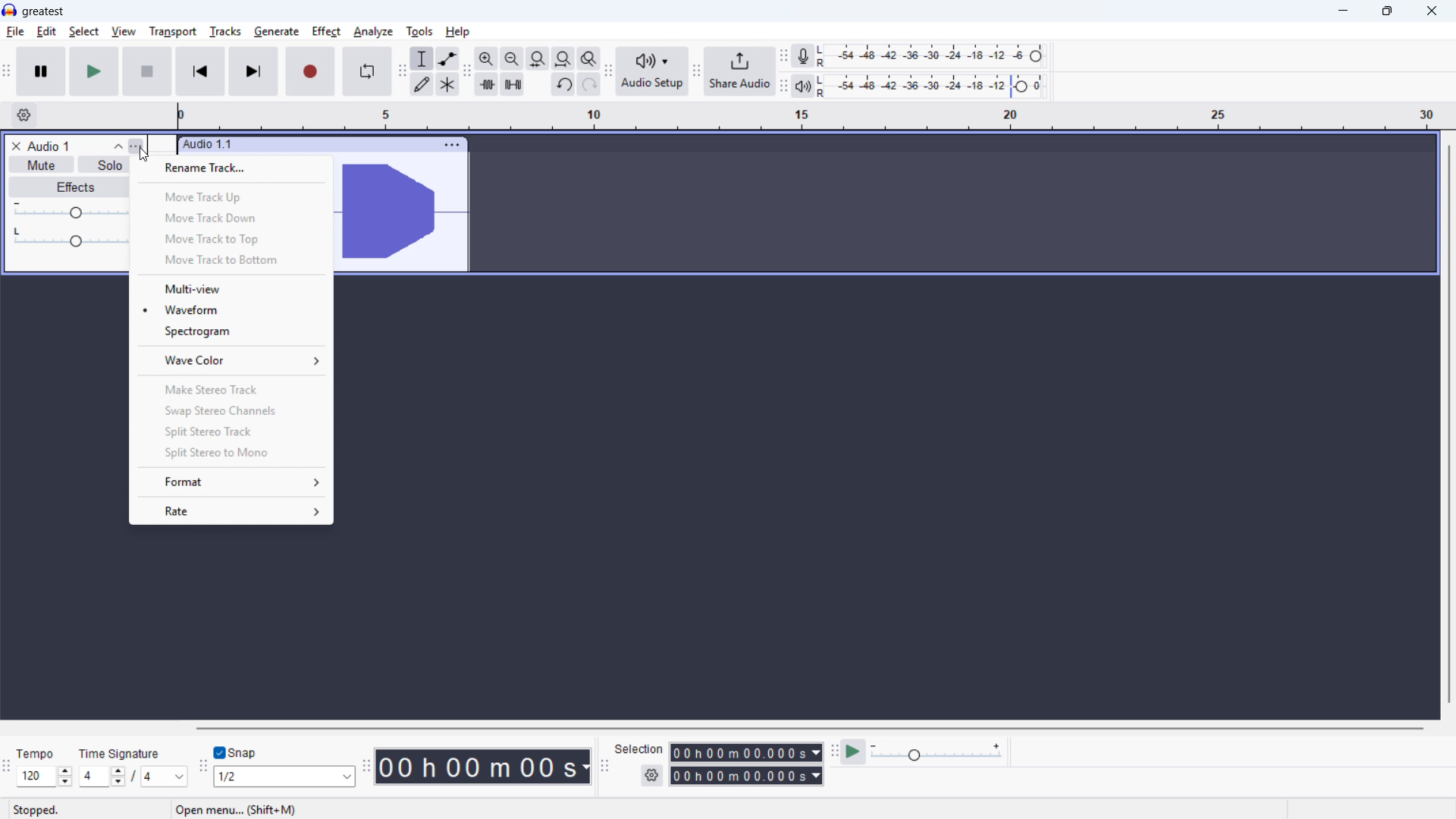 This screenshot has width=1456, height=819. Describe the element at coordinates (234, 331) in the screenshot. I see `Spectrogram ` at that location.